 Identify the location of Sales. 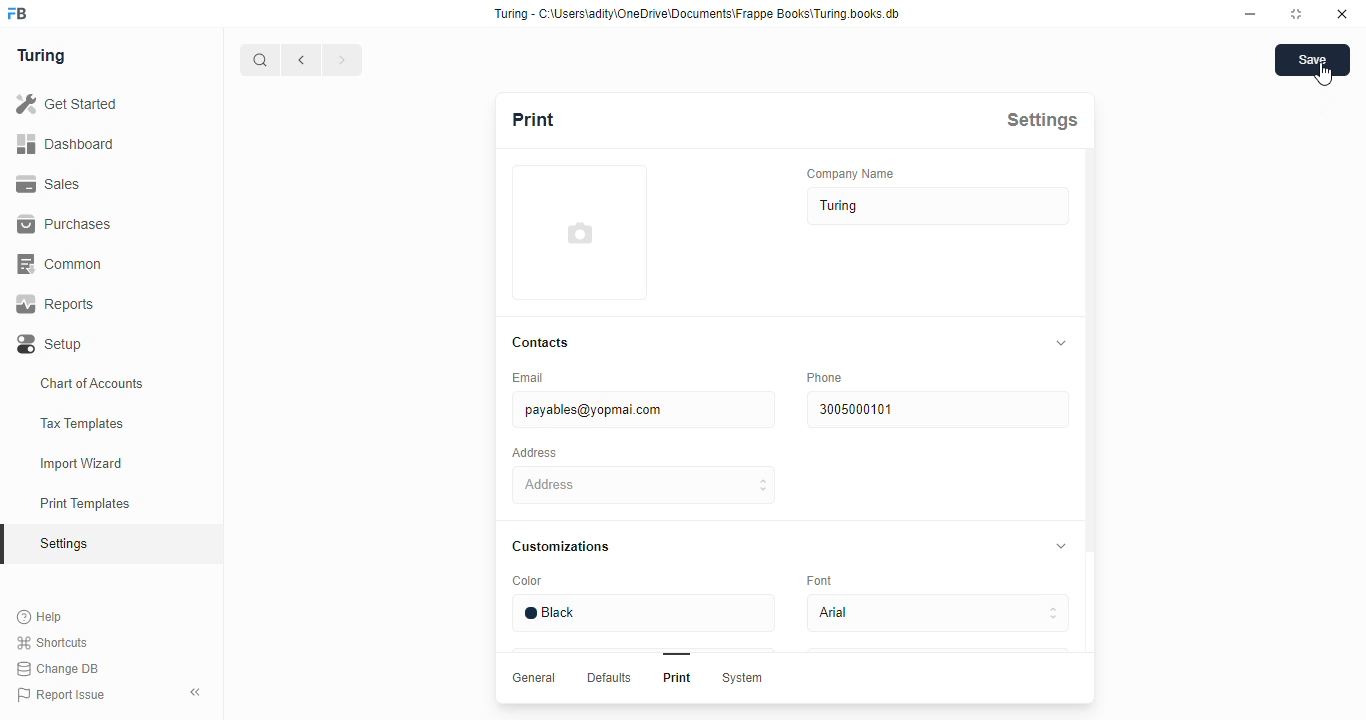
(98, 182).